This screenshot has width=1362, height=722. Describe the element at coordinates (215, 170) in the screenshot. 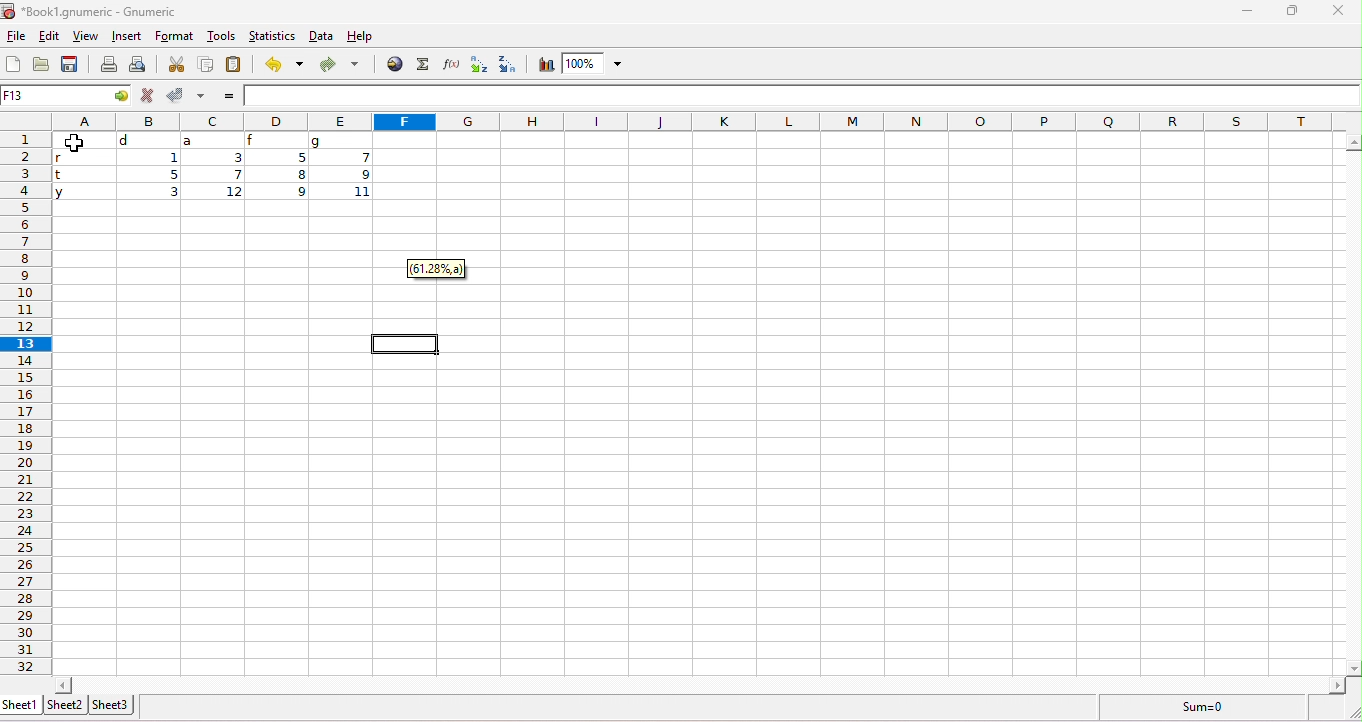

I see `cell ranges` at that location.